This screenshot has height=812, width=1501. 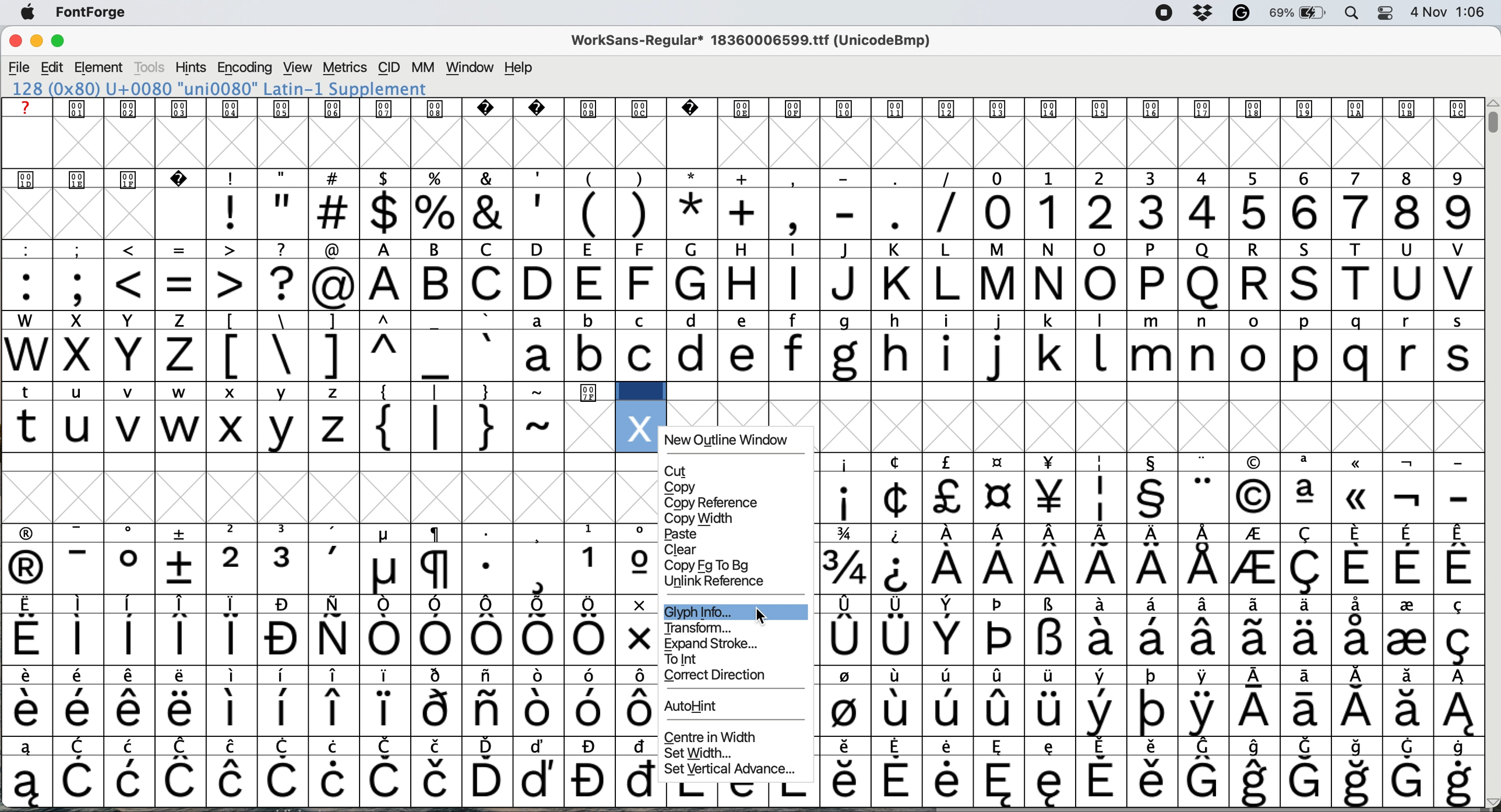 I want to click on expand stroke, so click(x=707, y=645).